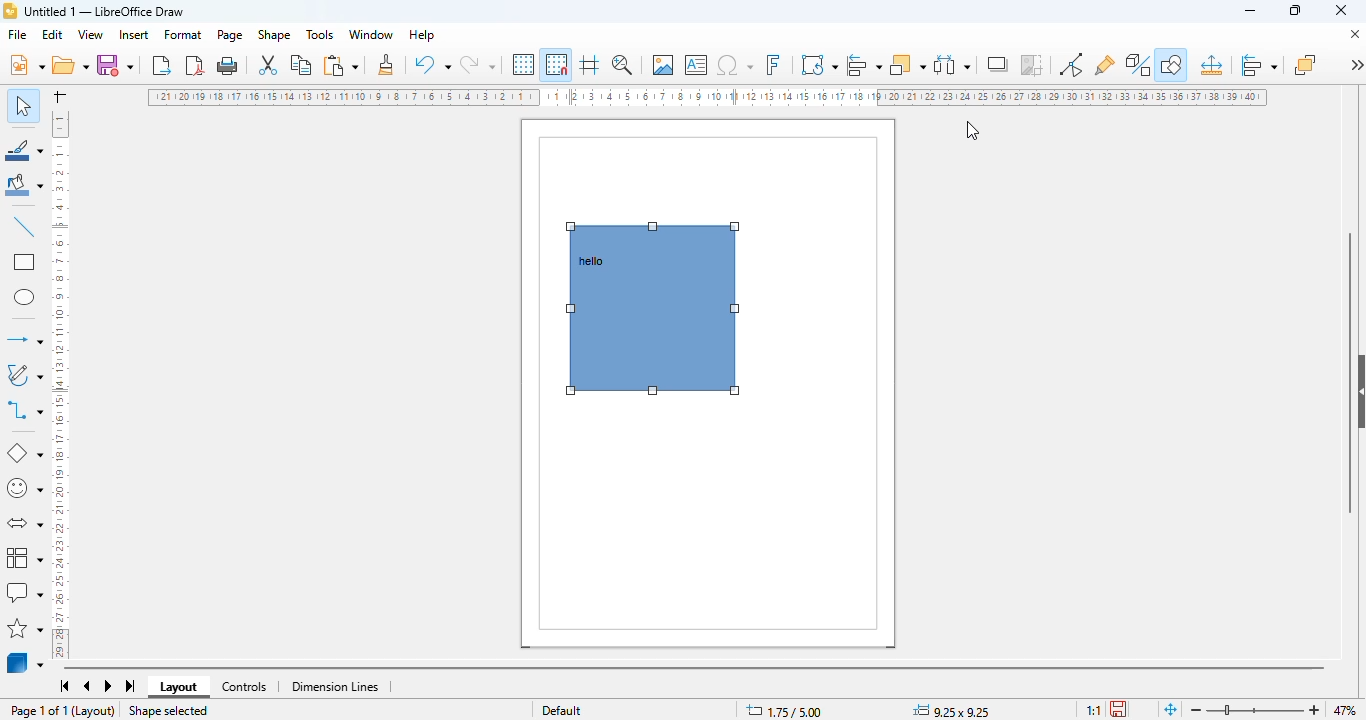  I want to click on shadow, so click(999, 64).